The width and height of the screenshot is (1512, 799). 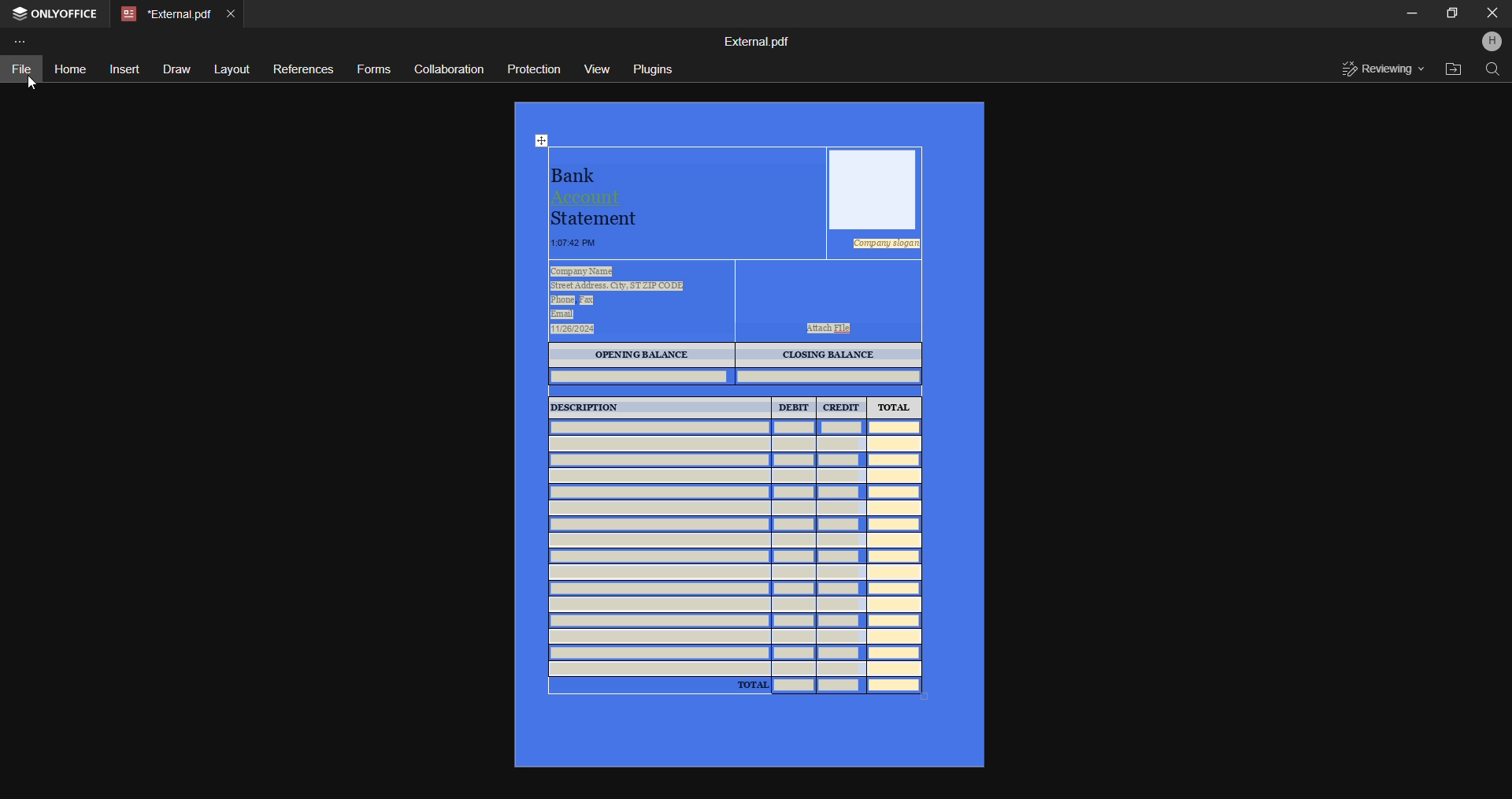 What do you see at coordinates (175, 70) in the screenshot?
I see `Draw` at bounding box center [175, 70].